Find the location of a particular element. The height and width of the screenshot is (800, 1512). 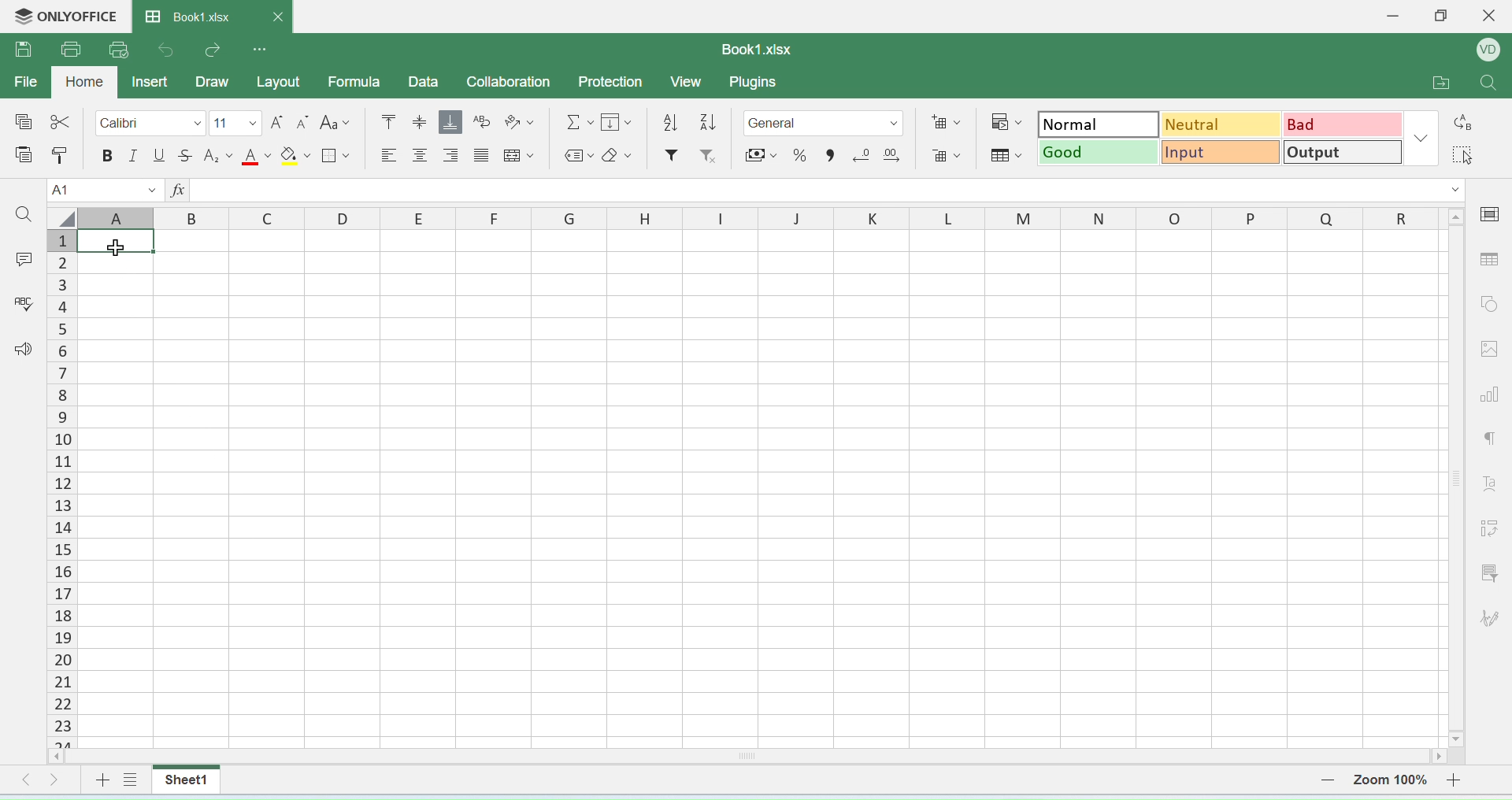

italics is located at coordinates (134, 156).